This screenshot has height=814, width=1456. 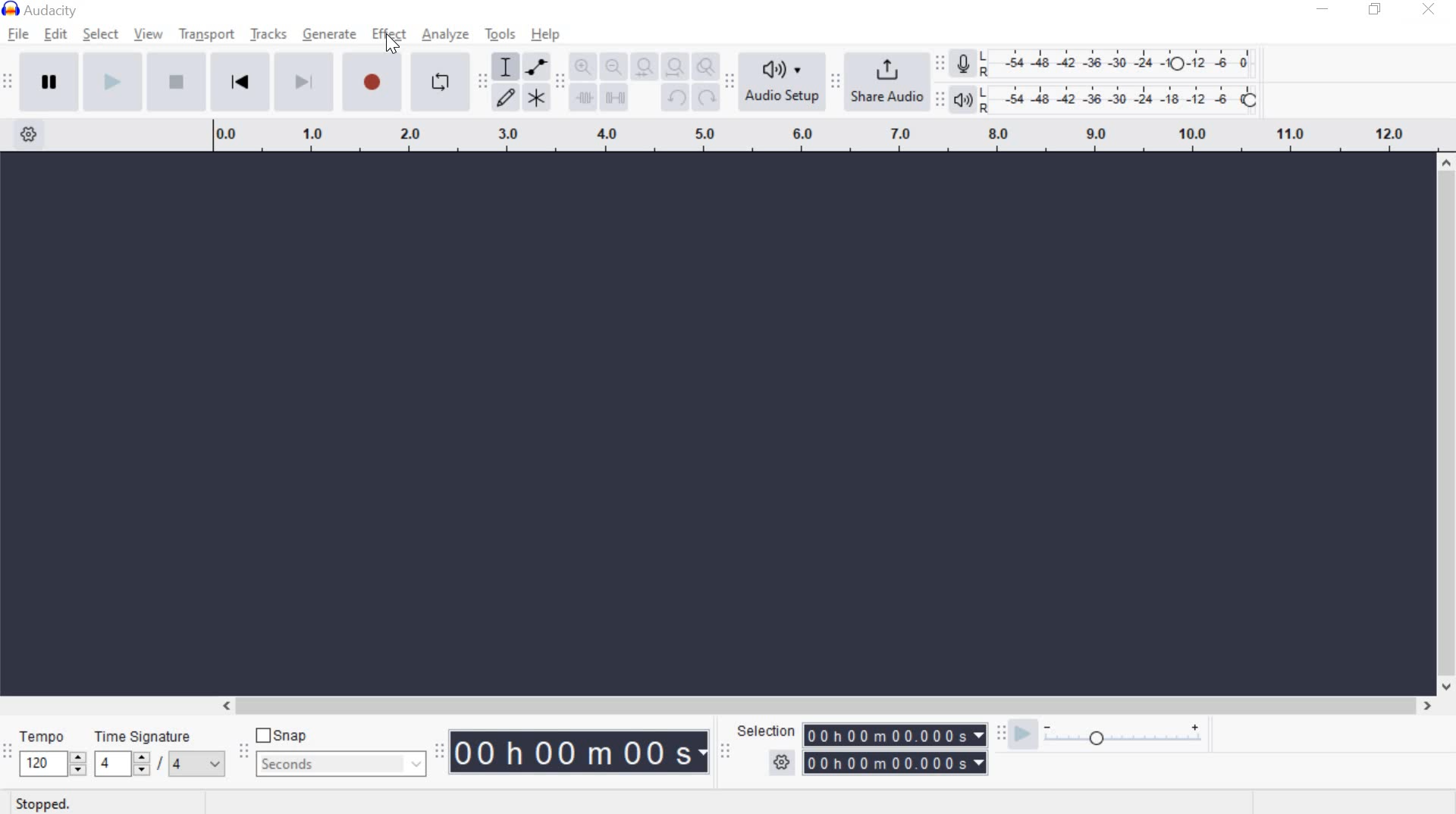 What do you see at coordinates (962, 100) in the screenshot?
I see `Playback meter` at bounding box center [962, 100].